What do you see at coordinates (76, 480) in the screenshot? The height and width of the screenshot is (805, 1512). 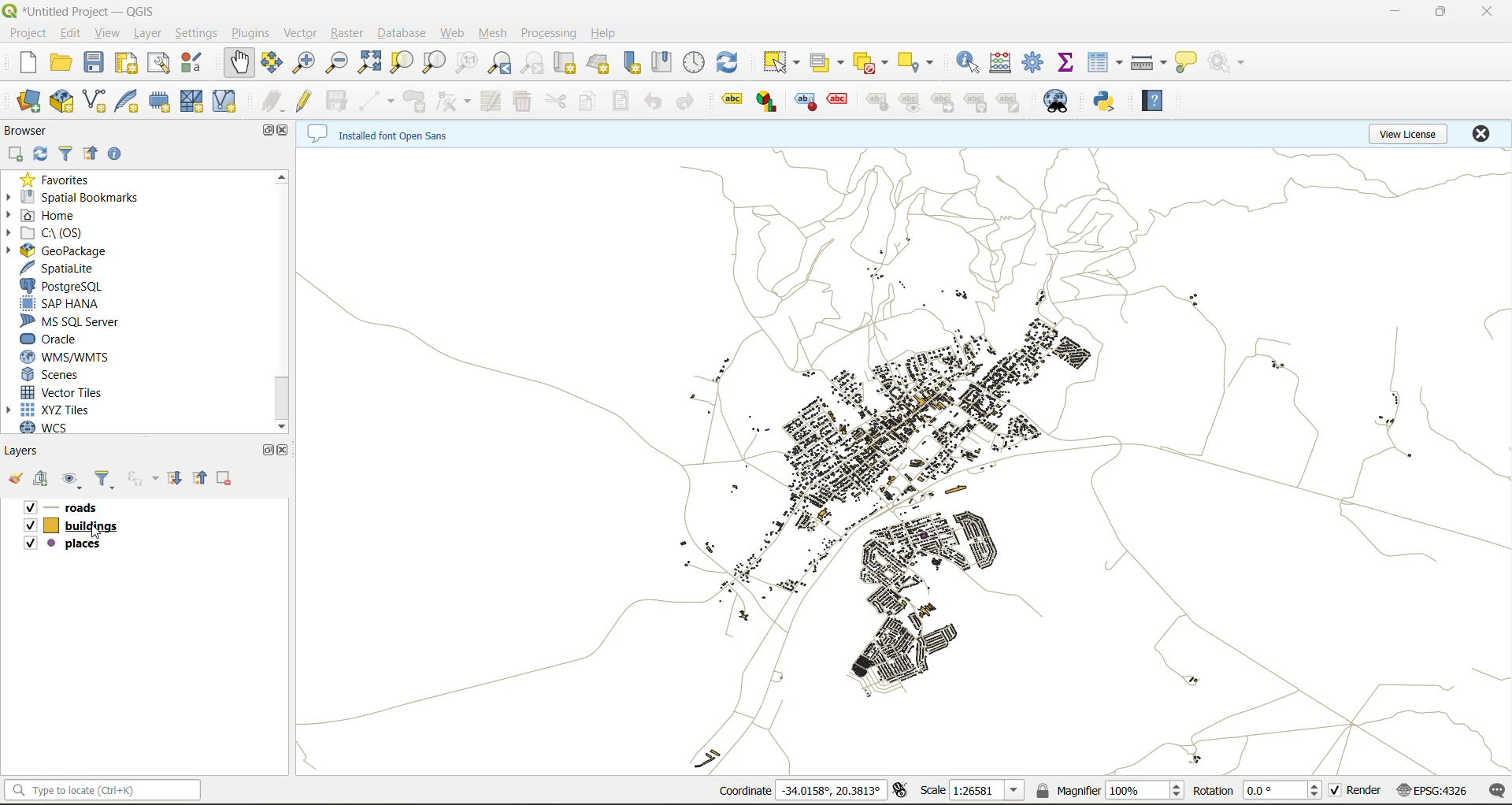 I see `manage map` at bounding box center [76, 480].